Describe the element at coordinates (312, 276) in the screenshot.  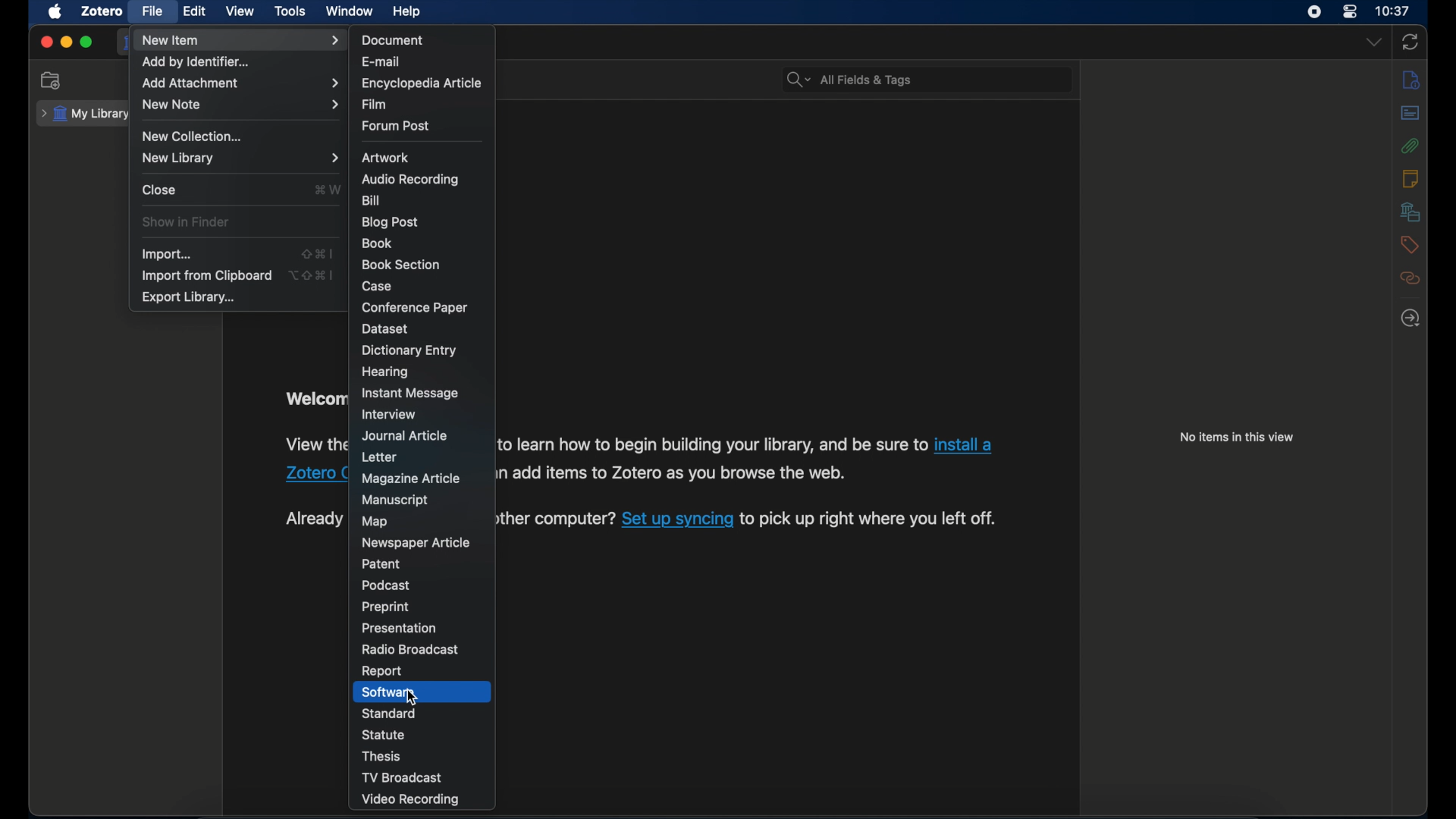
I see `shortcut` at that location.